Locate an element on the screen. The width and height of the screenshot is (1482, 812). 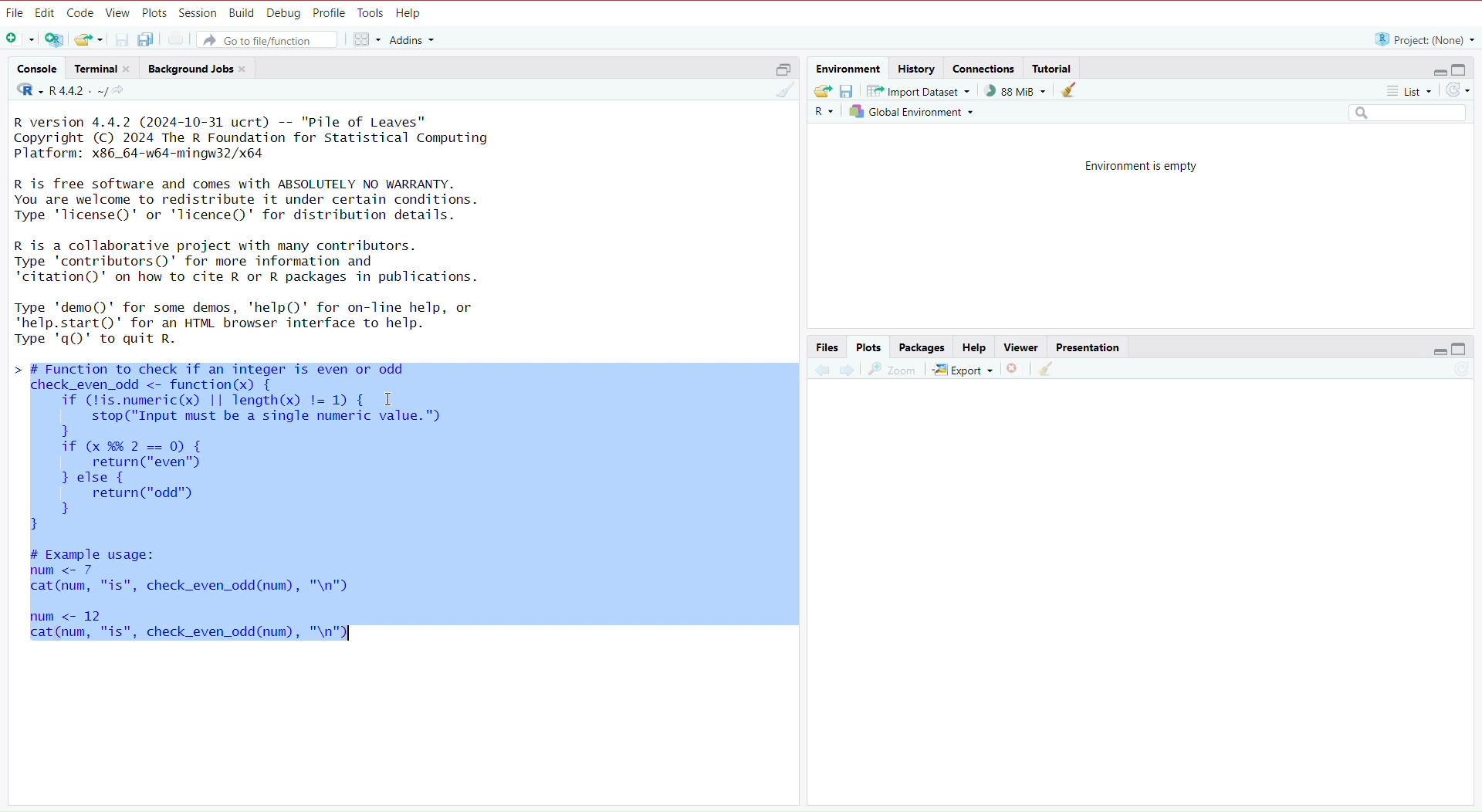
remove current plot is located at coordinates (1013, 371).